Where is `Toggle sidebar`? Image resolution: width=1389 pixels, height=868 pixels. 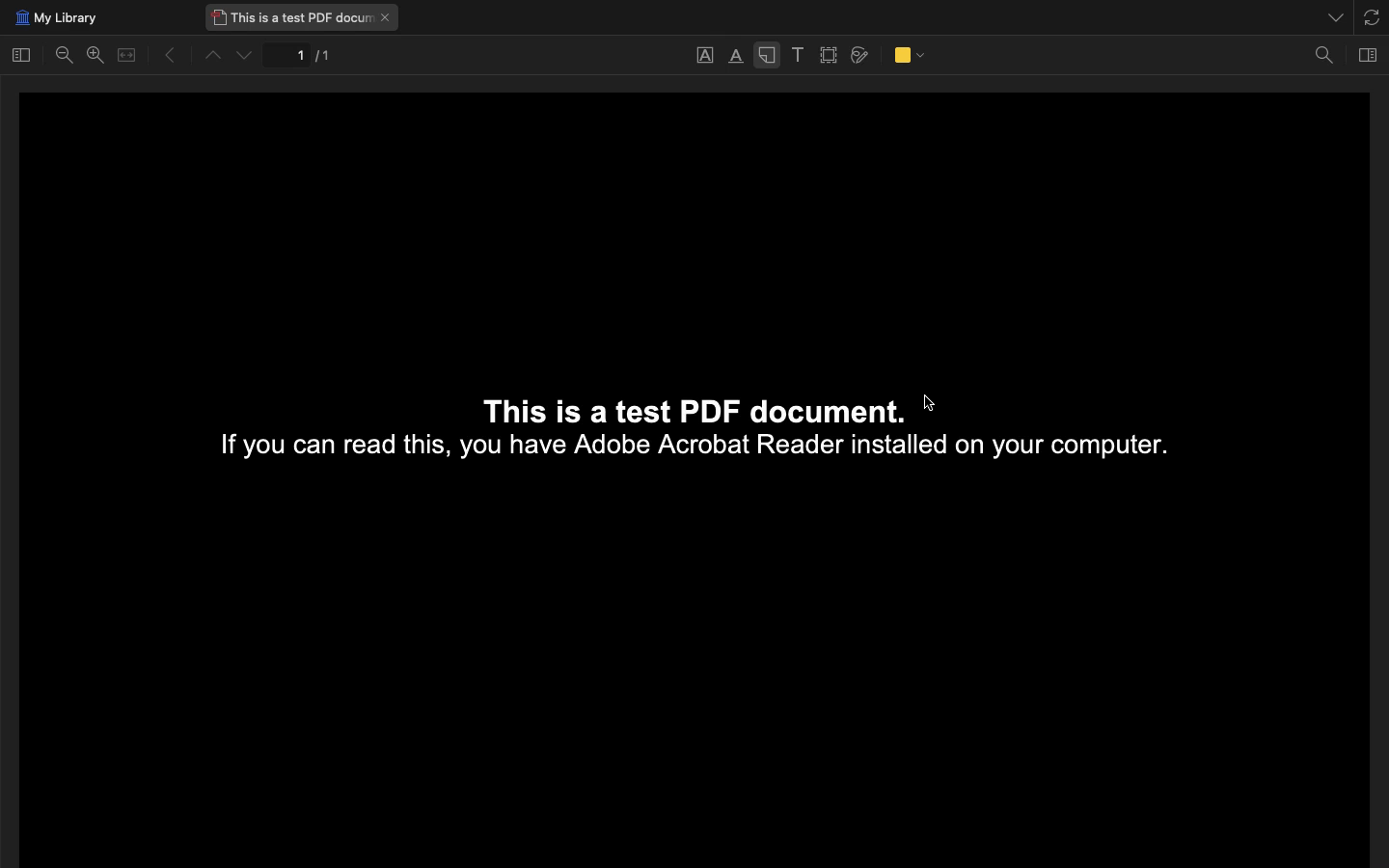
Toggle sidebar is located at coordinates (21, 54).